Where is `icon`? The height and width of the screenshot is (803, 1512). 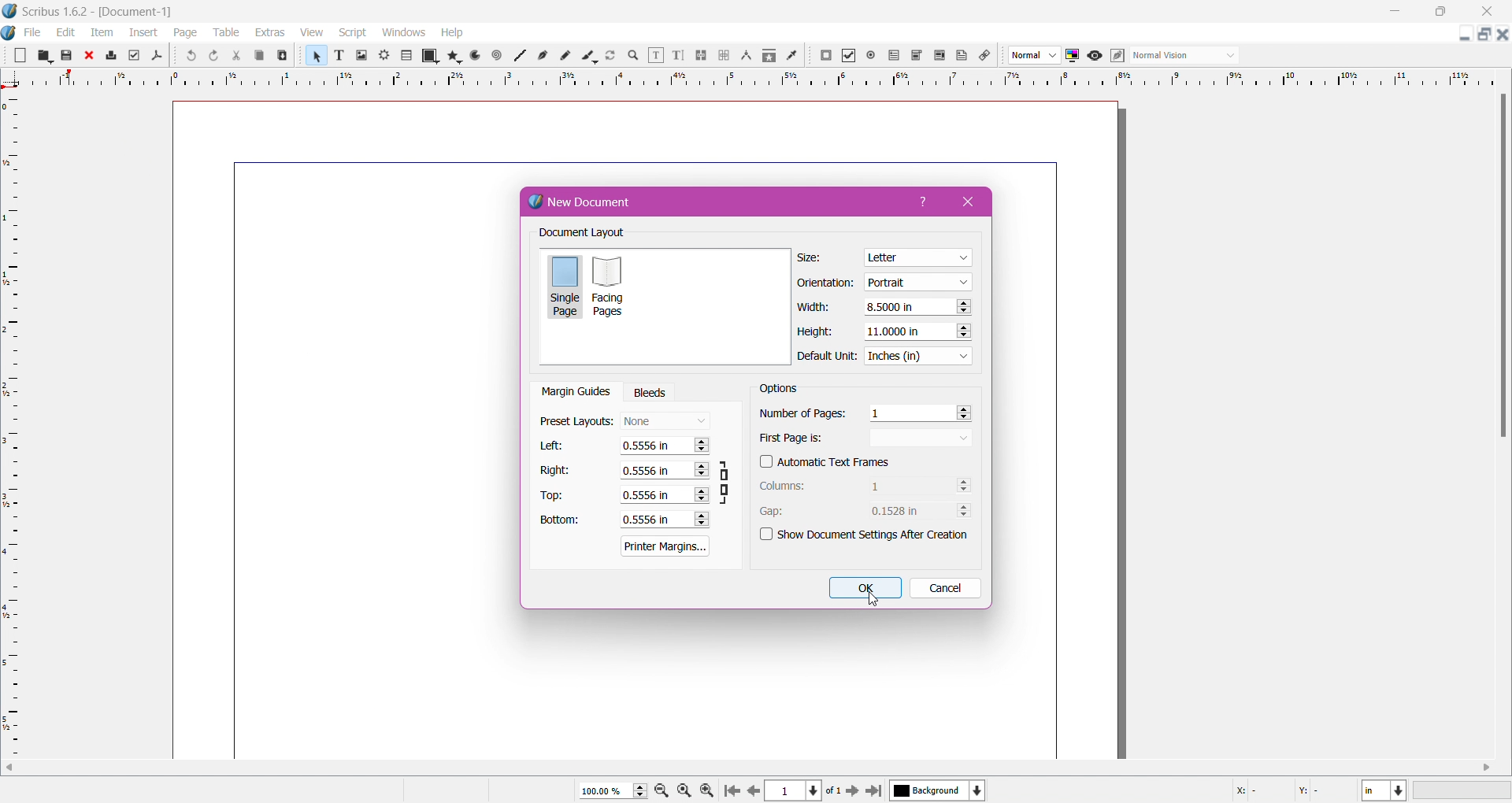 icon is located at coordinates (1070, 55).